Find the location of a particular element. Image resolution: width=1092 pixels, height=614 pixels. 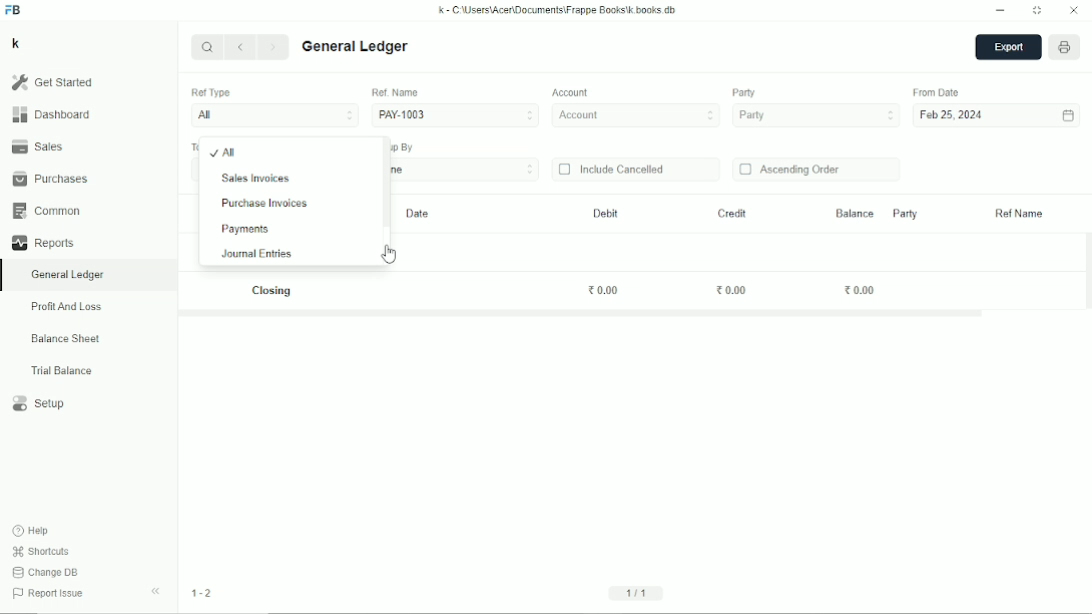

Balance is located at coordinates (854, 212).